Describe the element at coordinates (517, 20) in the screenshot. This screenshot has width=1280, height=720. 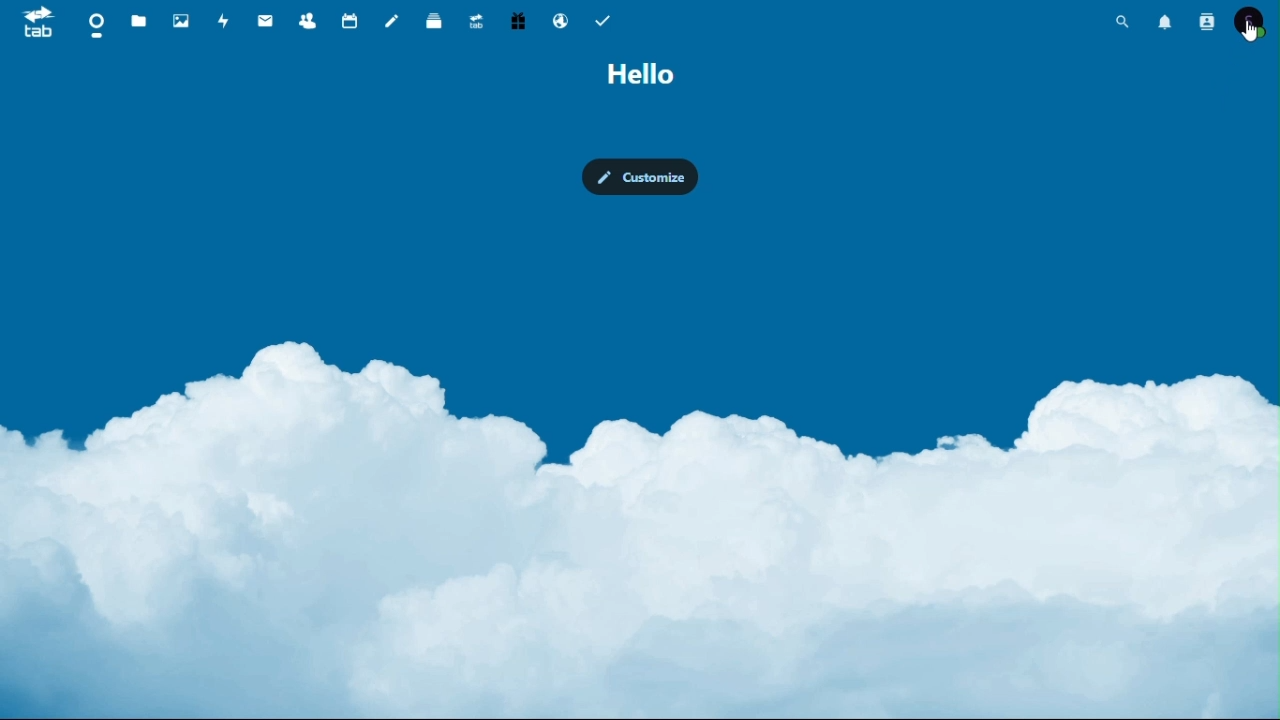
I see `Free trial` at that location.